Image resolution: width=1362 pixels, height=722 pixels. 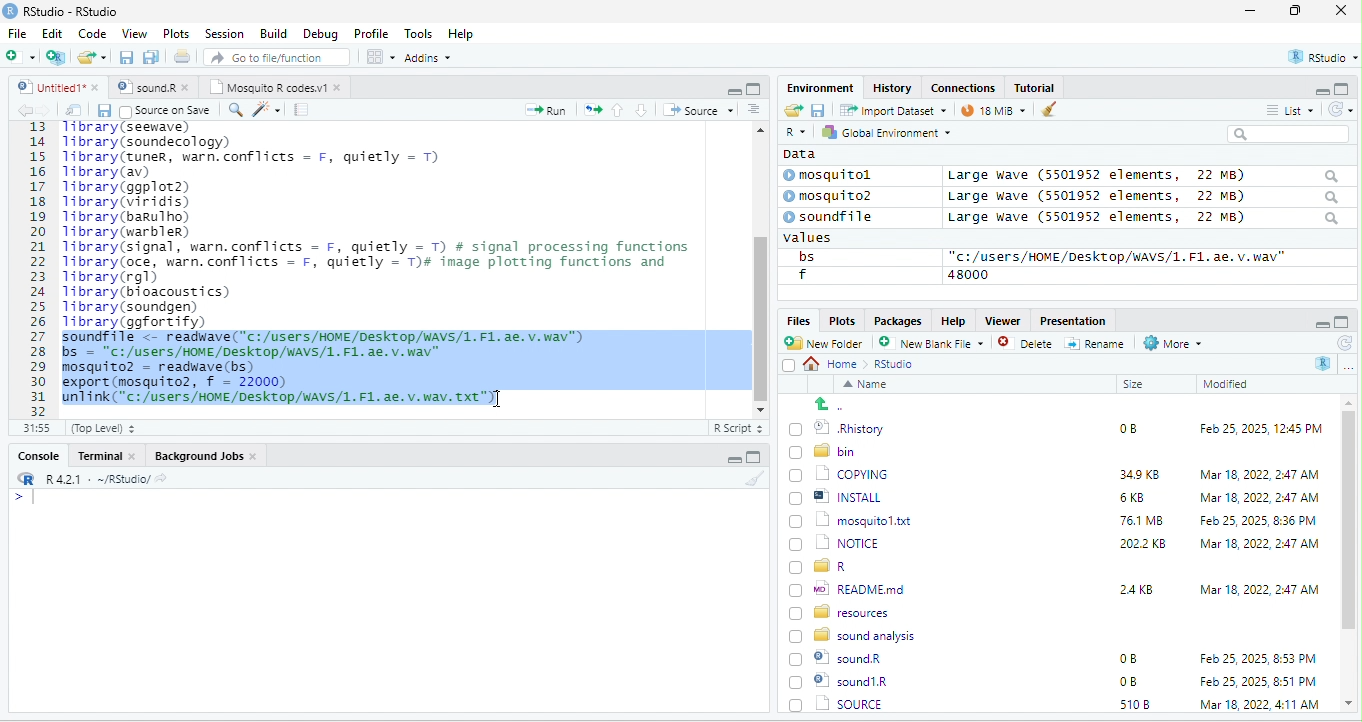 What do you see at coordinates (1144, 545) in the screenshot?
I see `2022 KB` at bounding box center [1144, 545].